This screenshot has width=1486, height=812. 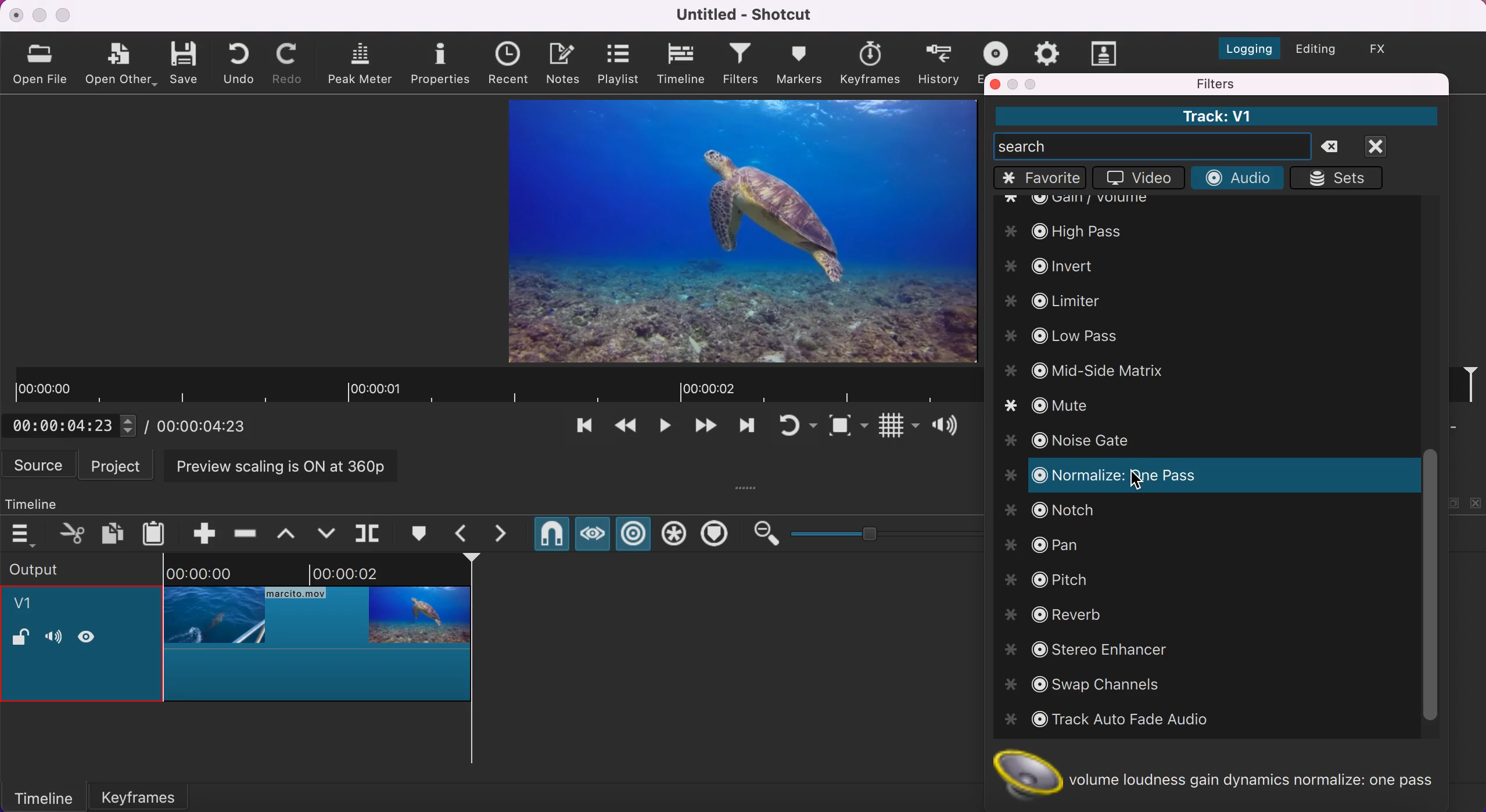 What do you see at coordinates (940, 63) in the screenshot?
I see `history` at bounding box center [940, 63].